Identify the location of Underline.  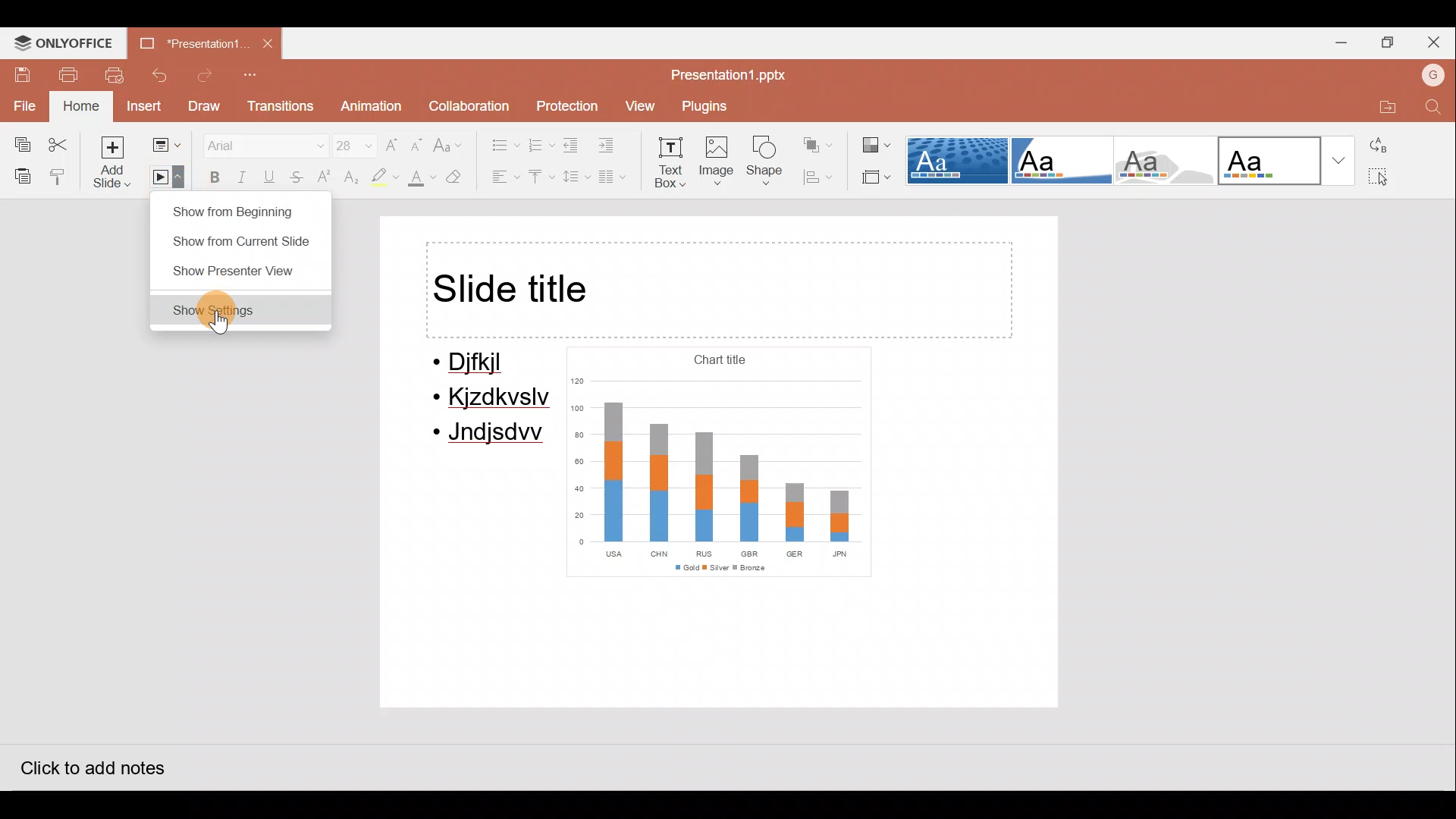
(265, 176).